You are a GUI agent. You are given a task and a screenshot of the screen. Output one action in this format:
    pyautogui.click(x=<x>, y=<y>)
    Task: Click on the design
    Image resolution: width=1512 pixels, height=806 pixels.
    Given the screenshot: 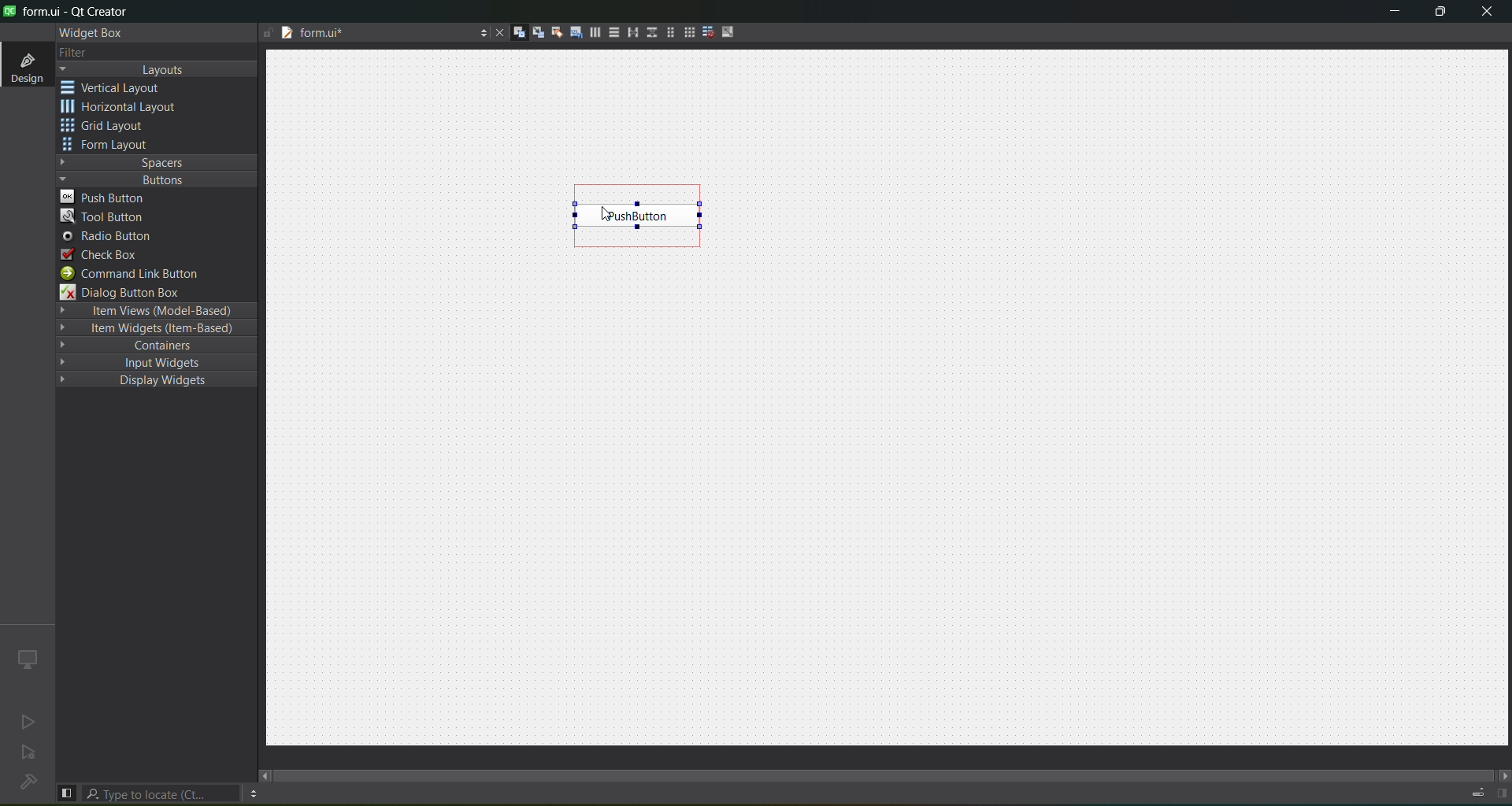 What is the action you would take?
    pyautogui.click(x=25, y=66)
    